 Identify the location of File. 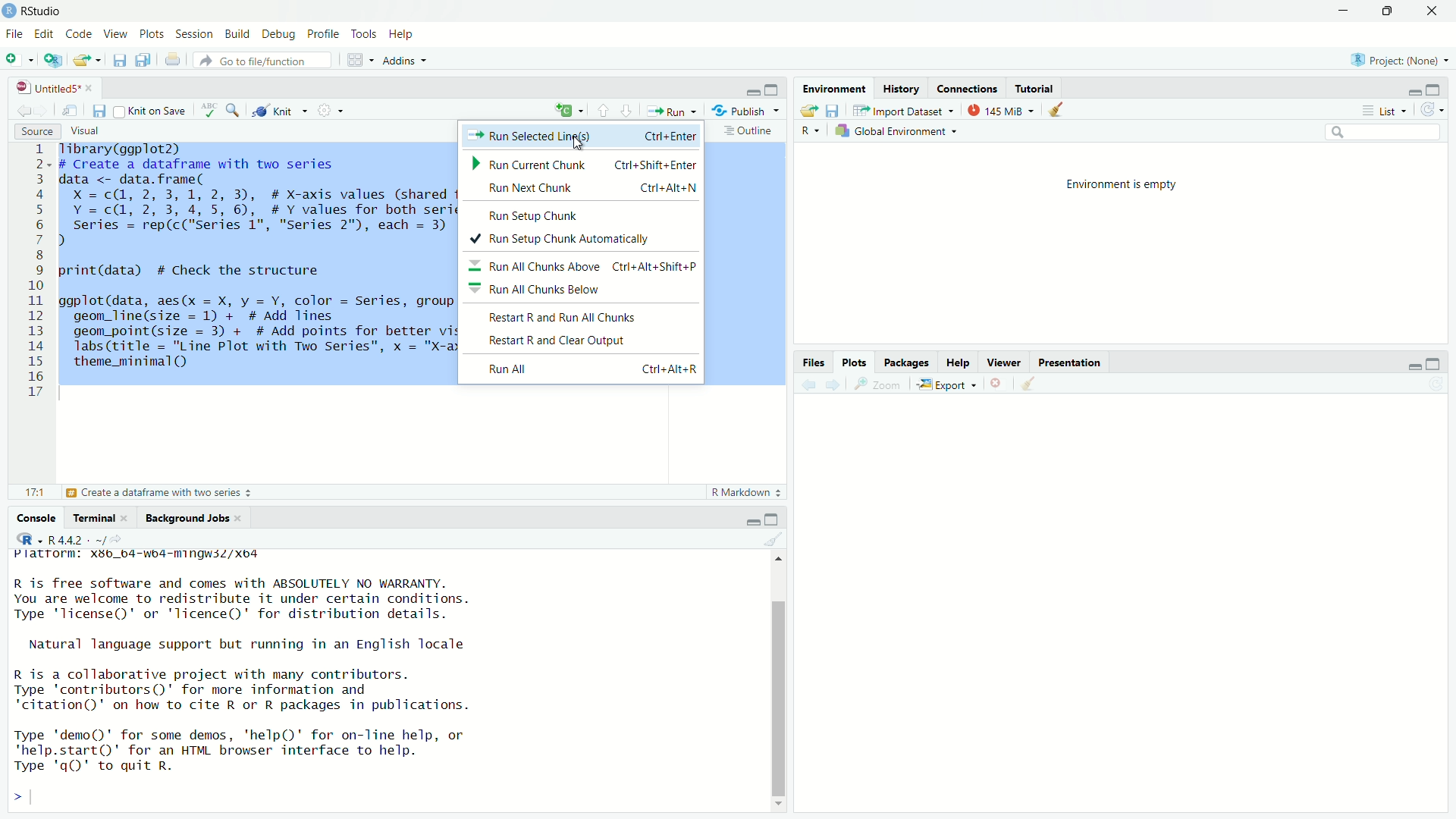
(14, 35).